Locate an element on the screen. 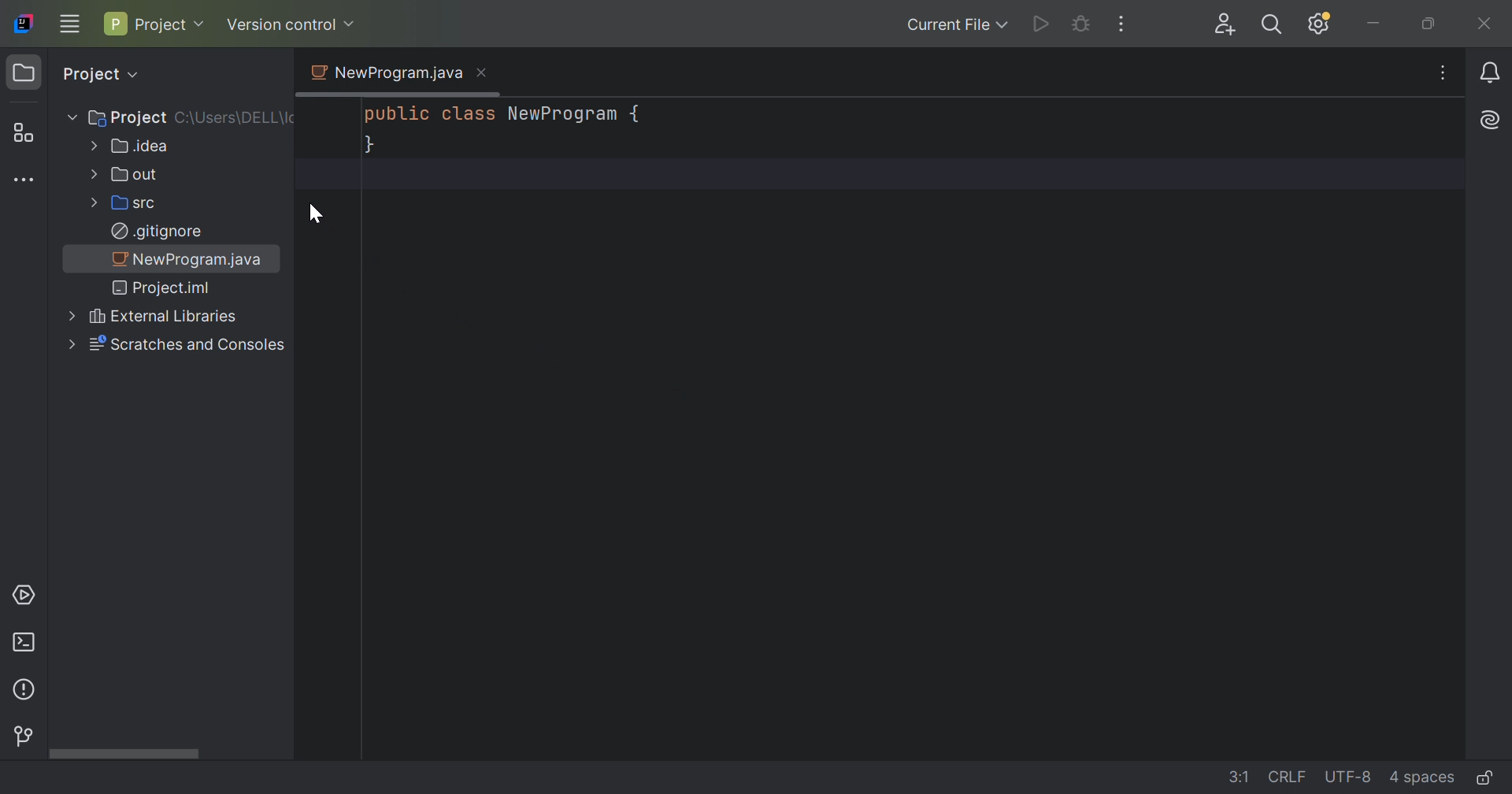 The height and width of the screenshot is (794, 1512). Terminal is located at coordinates (23, 643).